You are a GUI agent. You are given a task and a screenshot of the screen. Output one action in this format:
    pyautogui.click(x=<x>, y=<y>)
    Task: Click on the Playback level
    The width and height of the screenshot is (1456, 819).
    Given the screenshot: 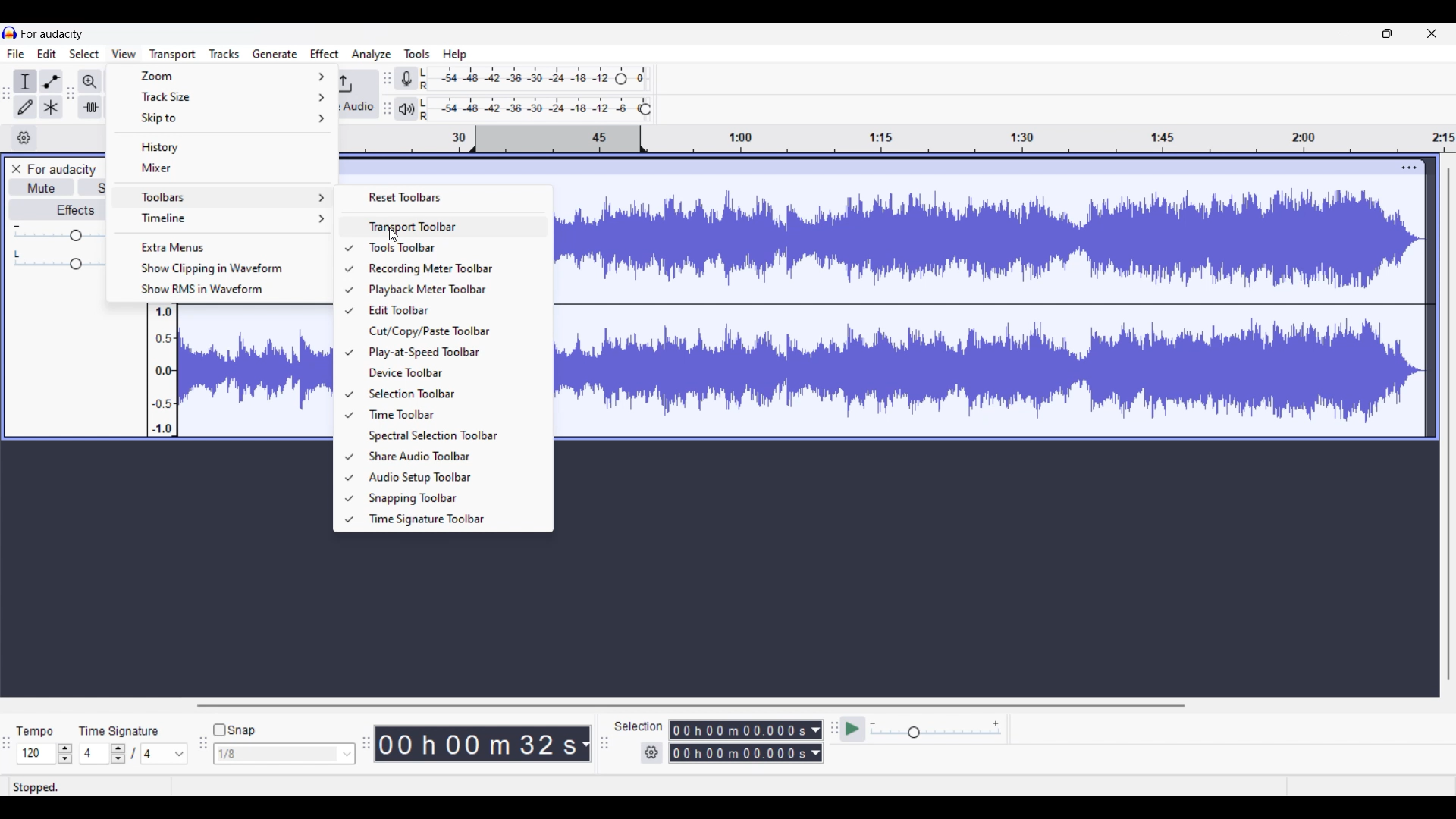 What is the action you would take?
    pyautogui.click(x=529, y=109)
    